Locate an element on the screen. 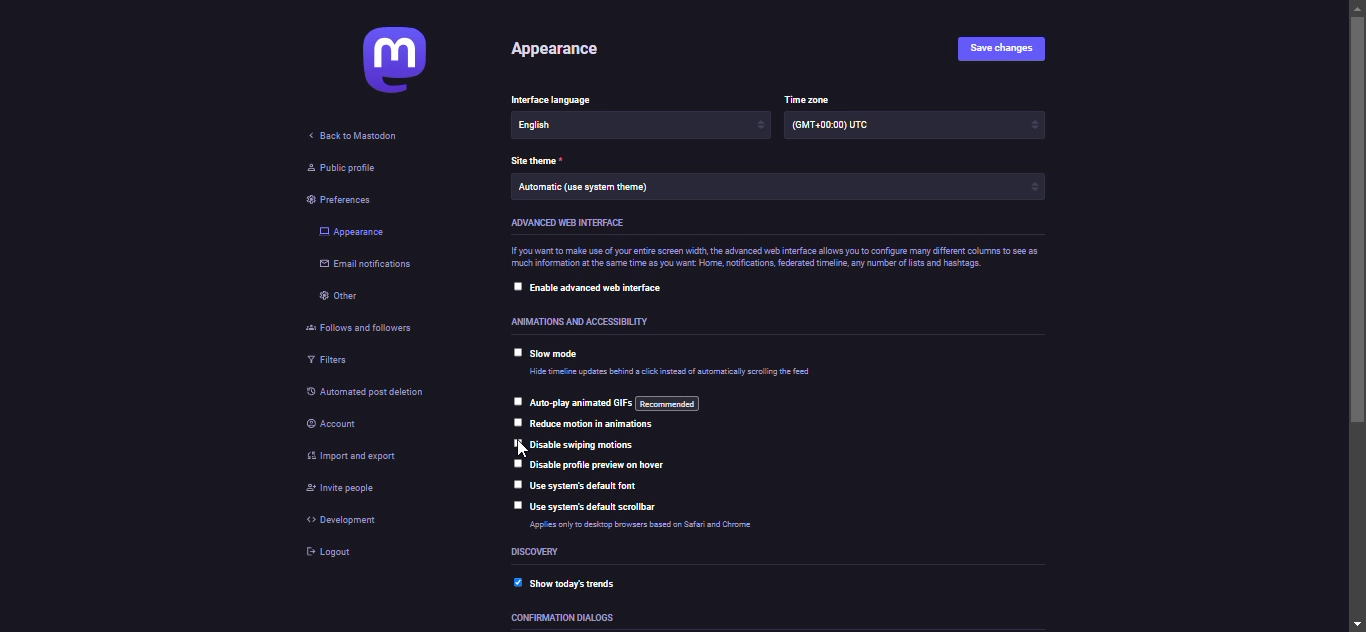 Image resolution: width=1366 pixels, height=632 pixels. slow mode is located at coordinates (563, 354).